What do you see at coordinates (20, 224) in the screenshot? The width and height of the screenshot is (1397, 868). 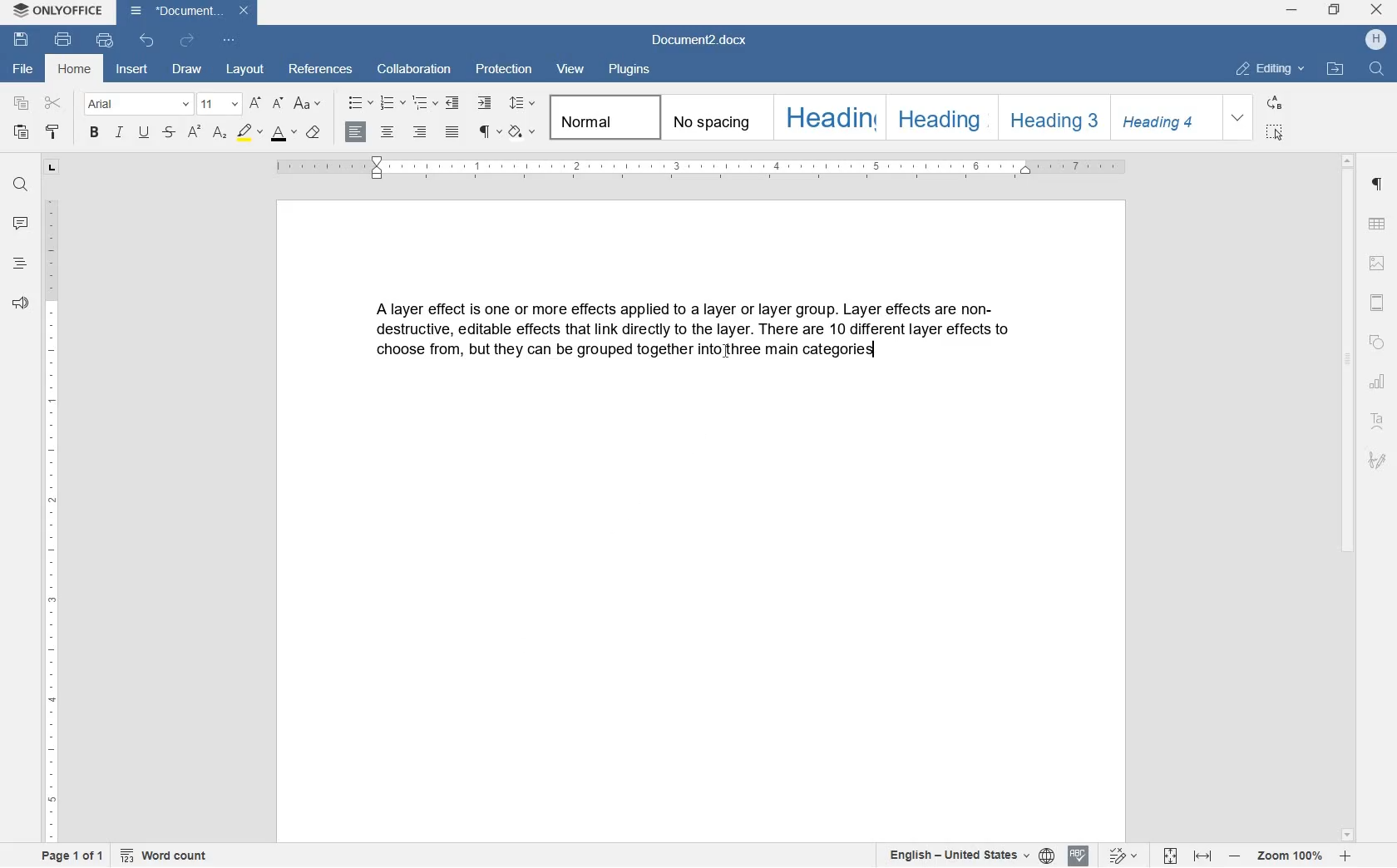 I see `comment` at bounding box center [20, 224].